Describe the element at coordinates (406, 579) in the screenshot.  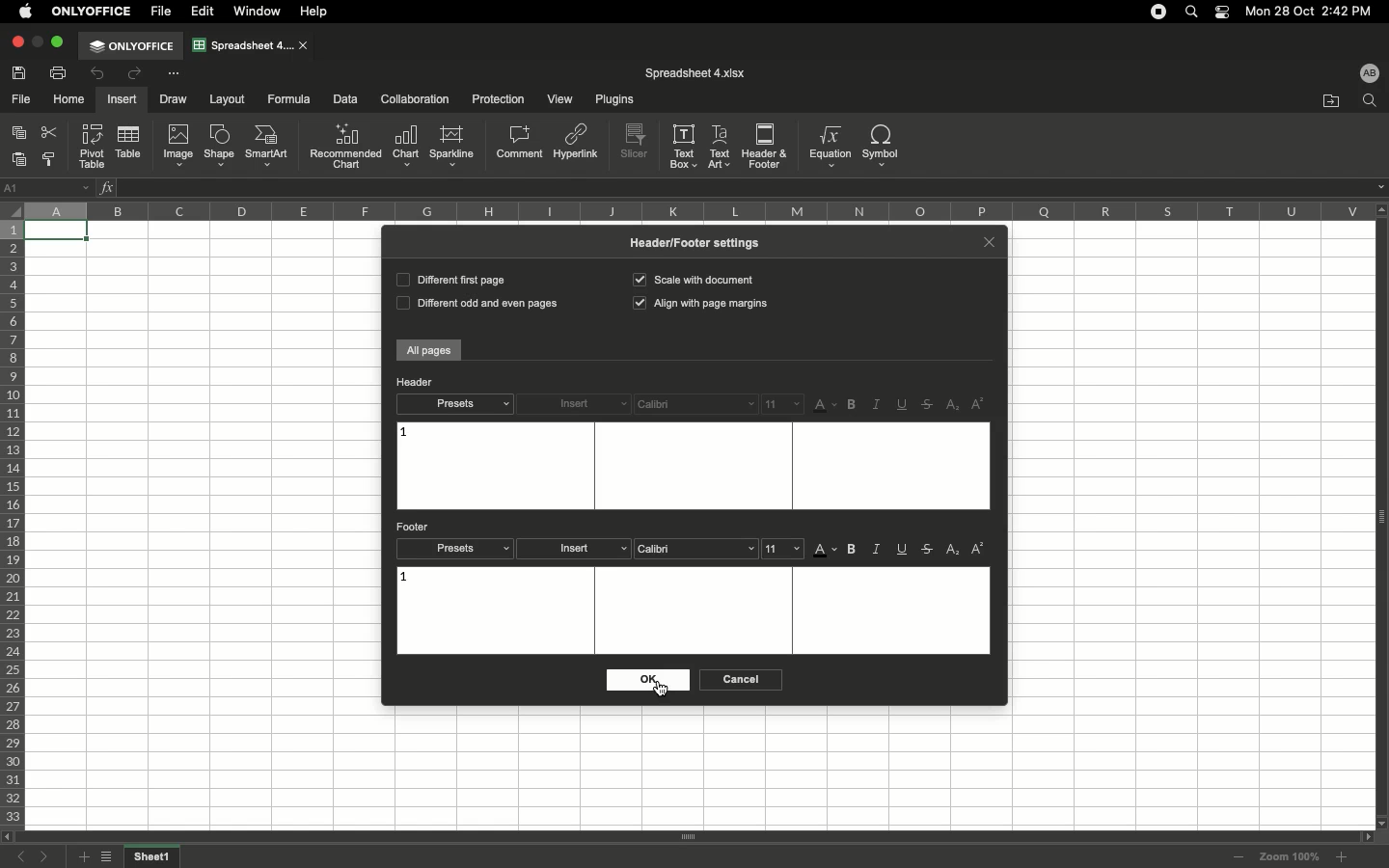
I see `1` at that location.